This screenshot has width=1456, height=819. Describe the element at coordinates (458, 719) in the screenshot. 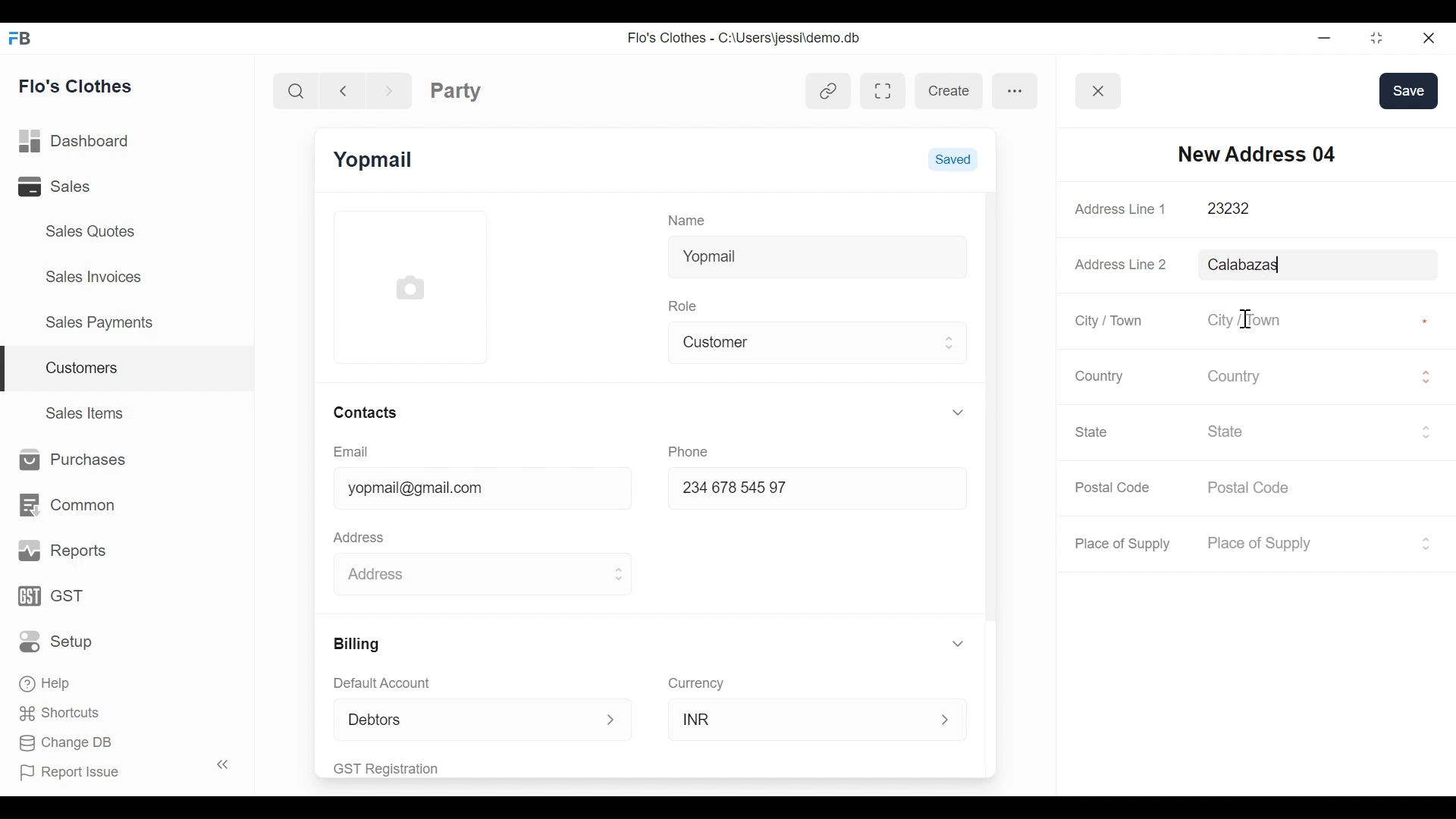

I see `Debtors` at that location.